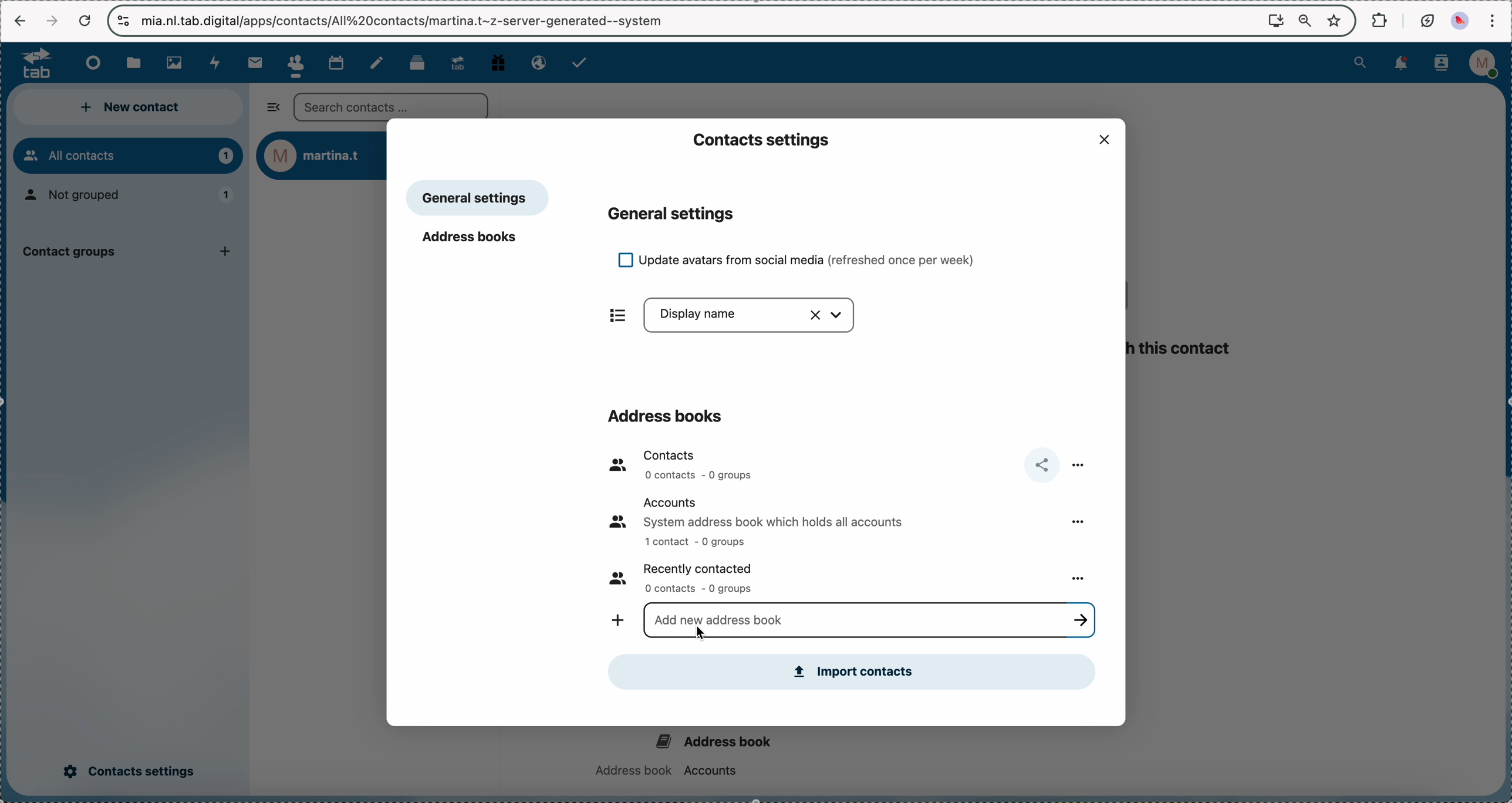 This screenshot has height=803, width=1512. Describe the element at coordinates (698, 630) in the screenshot. I see `cursor` at that location.